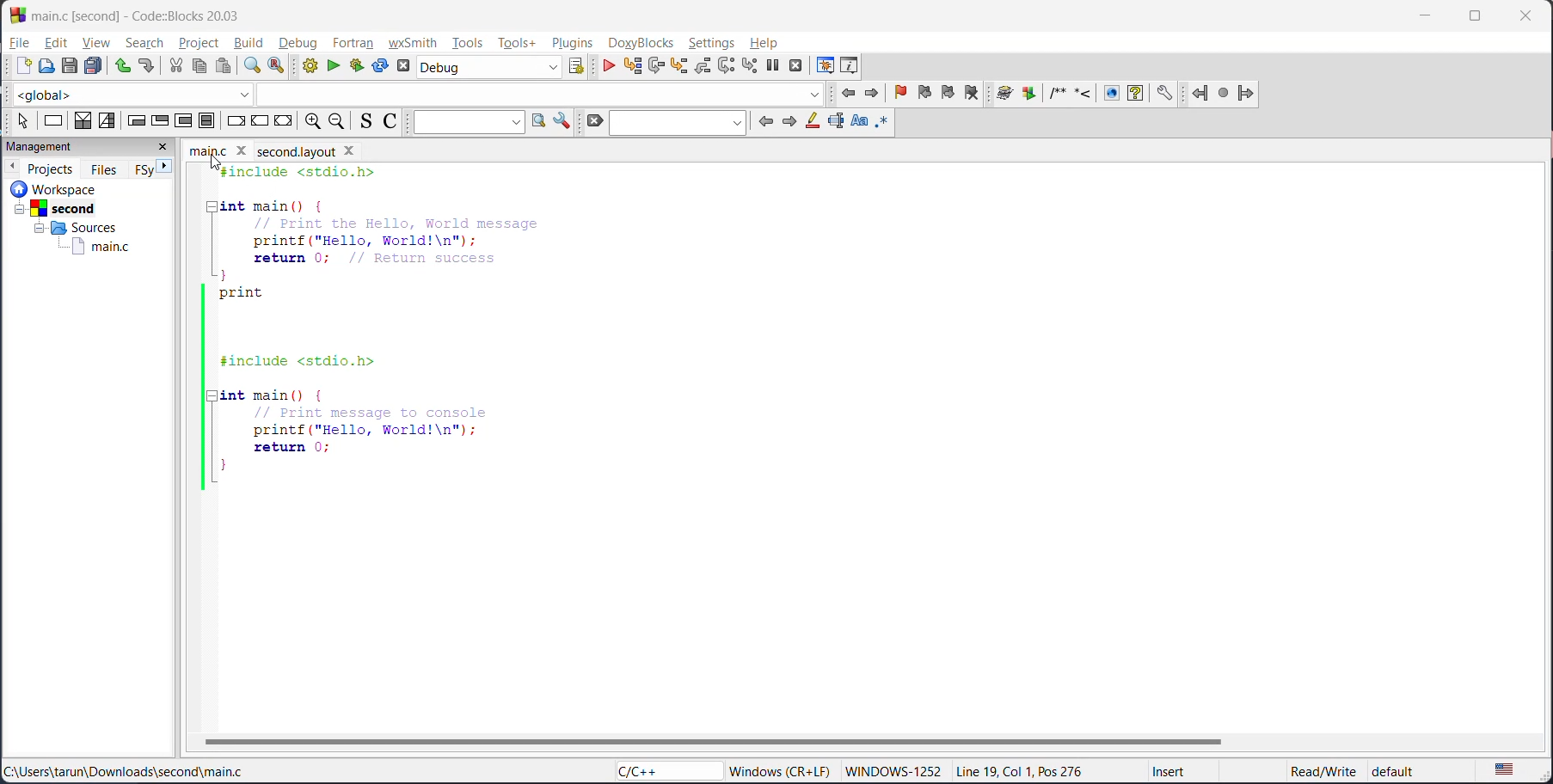 The width and height of the screenshot is (1553, 784). What do you see at coordinates (53, 122) in the screenshot?
I see `instruction` at bounding box center [53, 122].